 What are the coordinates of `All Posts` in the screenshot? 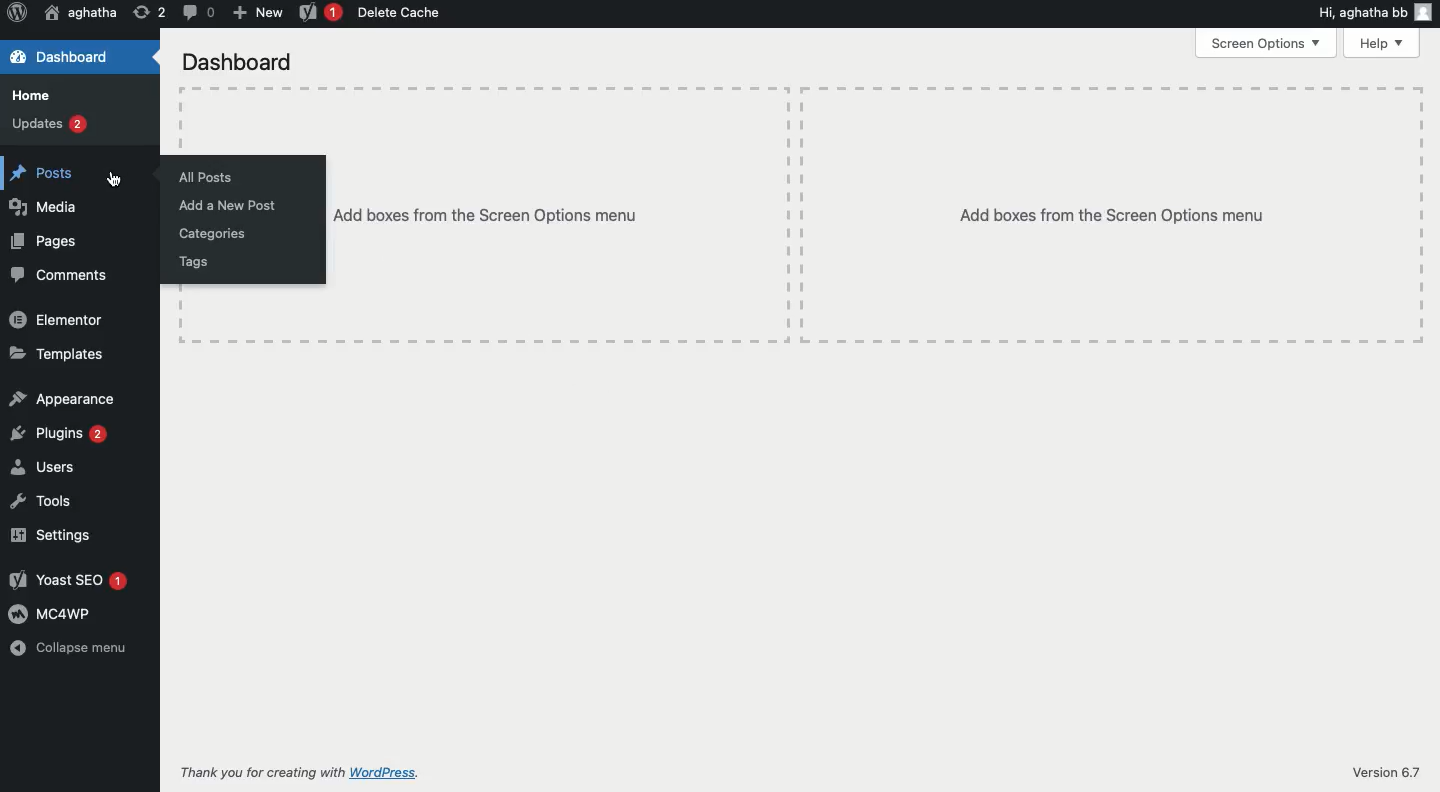 It's located at (207, 177).